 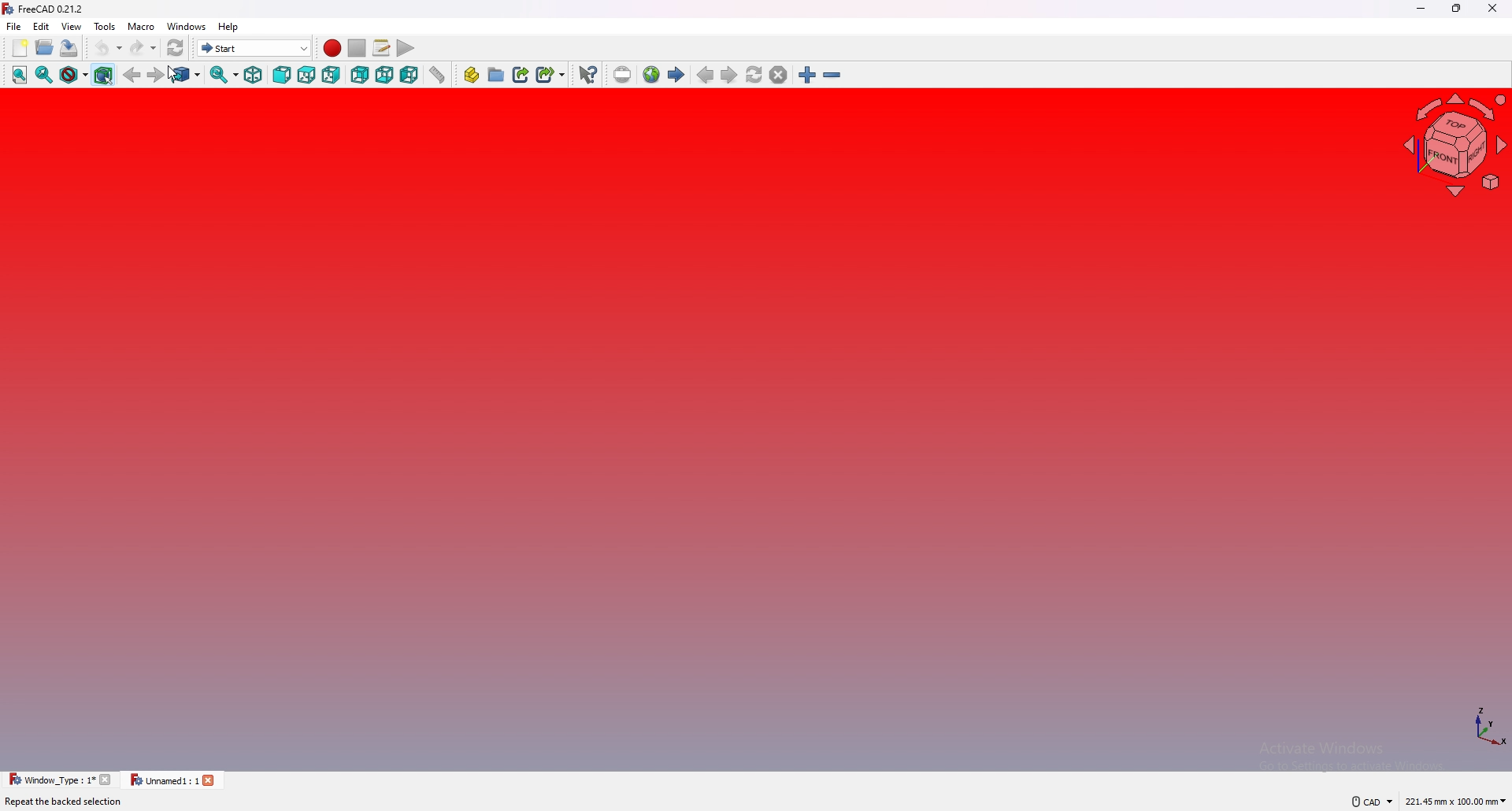 I want to click on what's this?, so click(x=587, y=74).